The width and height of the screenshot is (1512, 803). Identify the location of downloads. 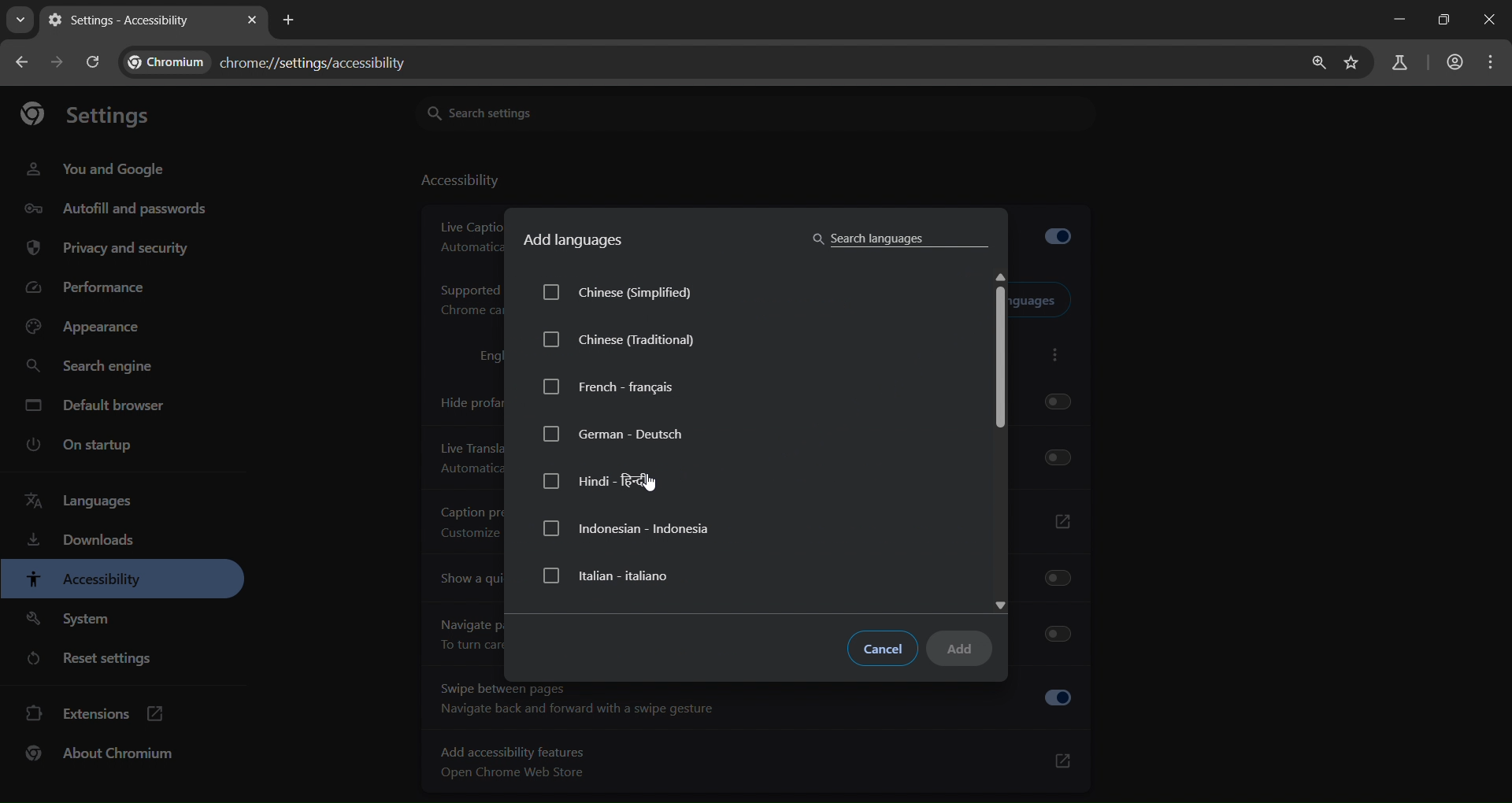
(83, 542).